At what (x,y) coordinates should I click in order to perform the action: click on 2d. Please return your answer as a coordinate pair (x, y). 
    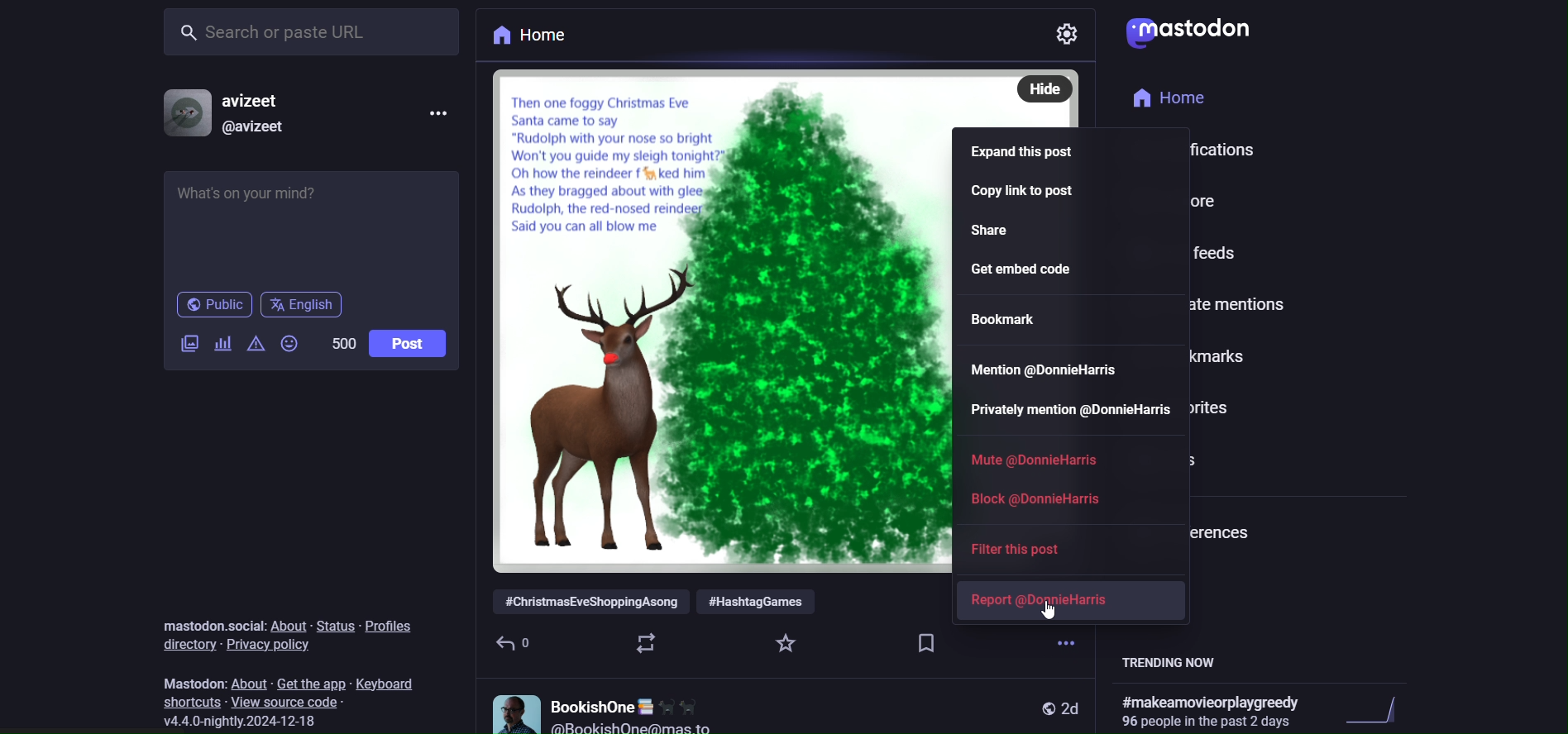
    Looking at the image, I should click on (1073, 706).